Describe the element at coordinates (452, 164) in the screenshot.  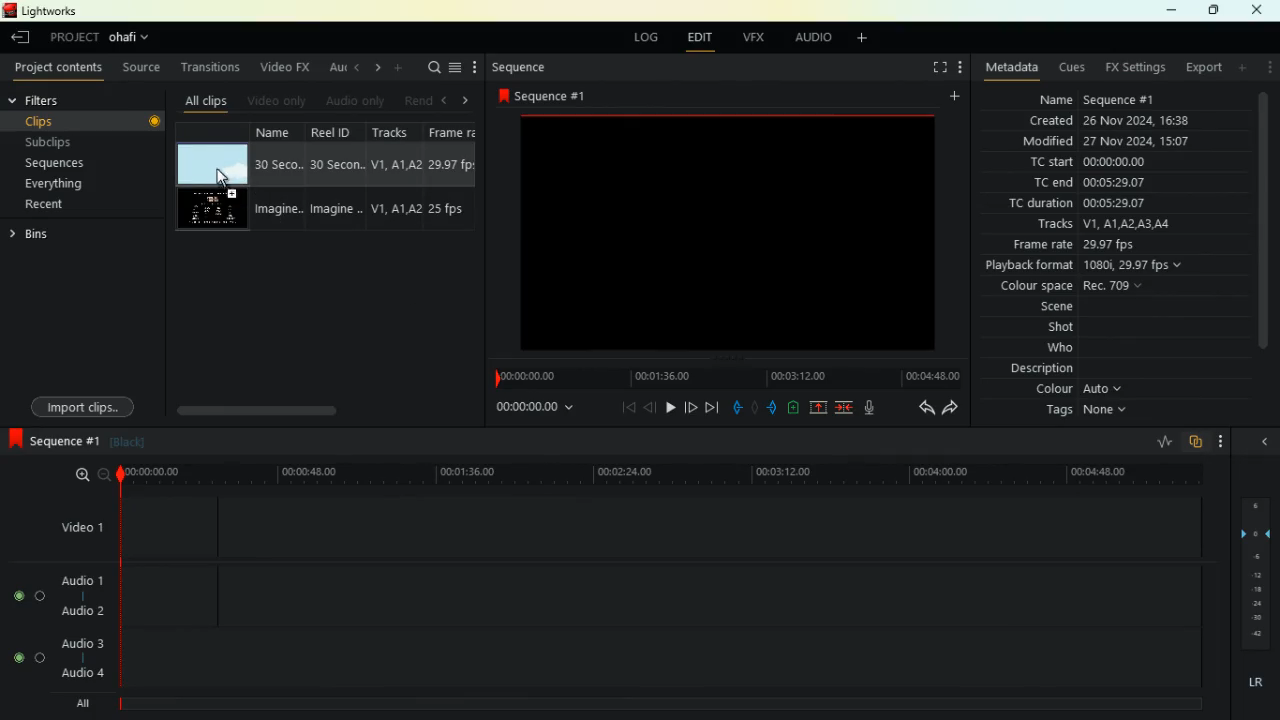
I see `29.97` at that location.